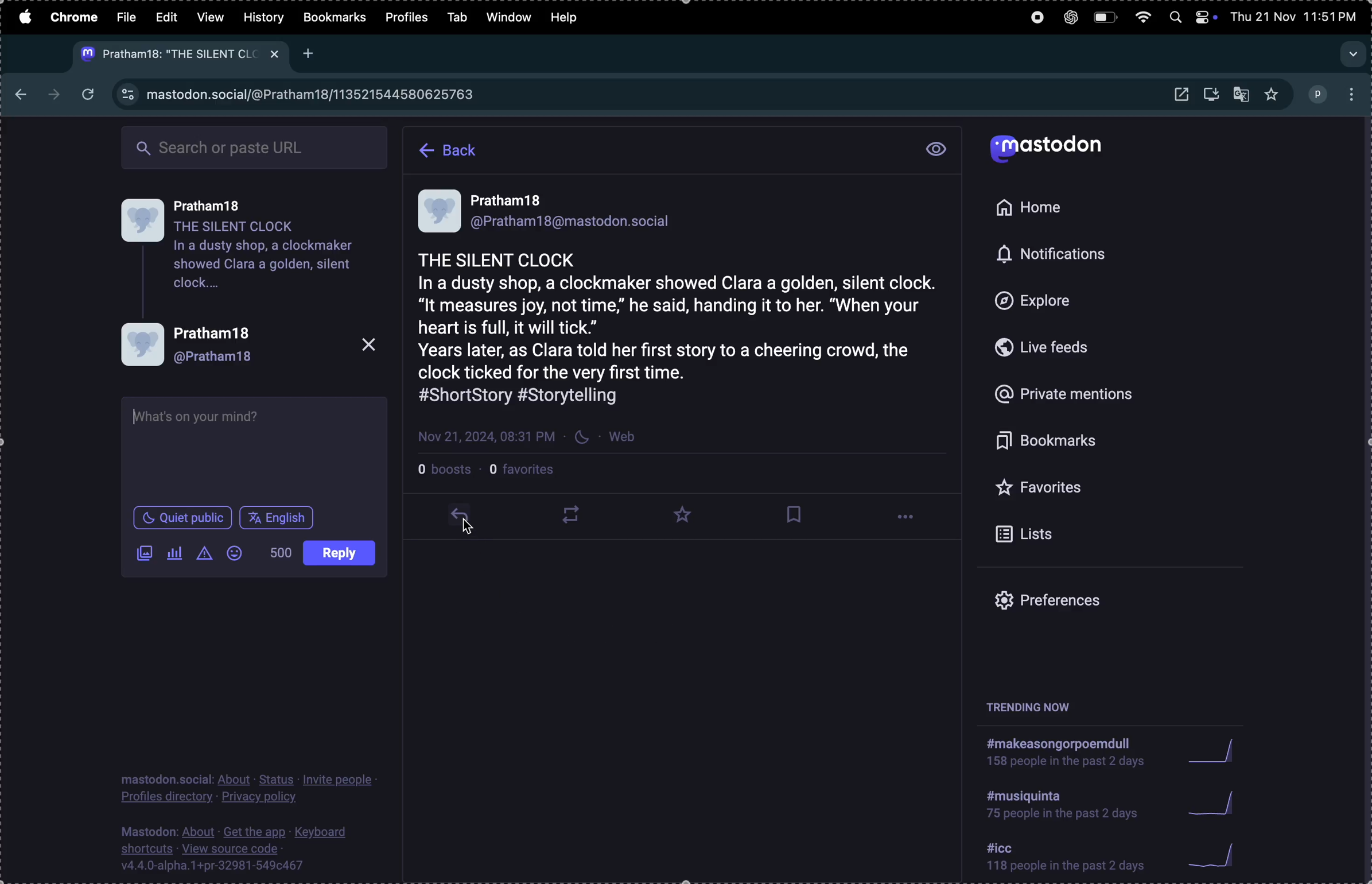  Describe the element at coordinates (145, 555) in the screenshot. I see `add image` at that location.